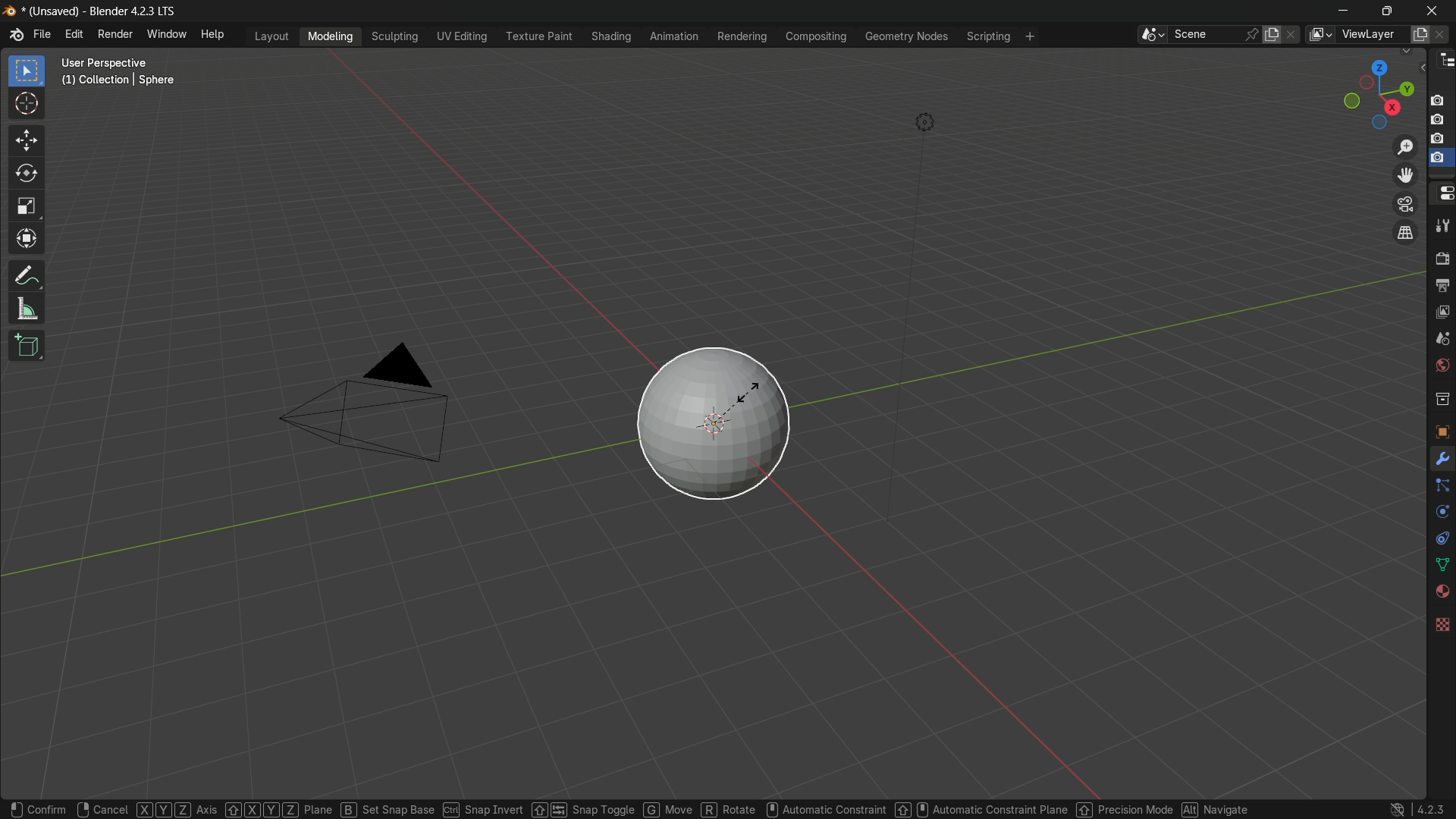 Image resolution: width=1456 pixels, height=819 pixels. I want to click on automatic constraint plane, so click(979, 807).